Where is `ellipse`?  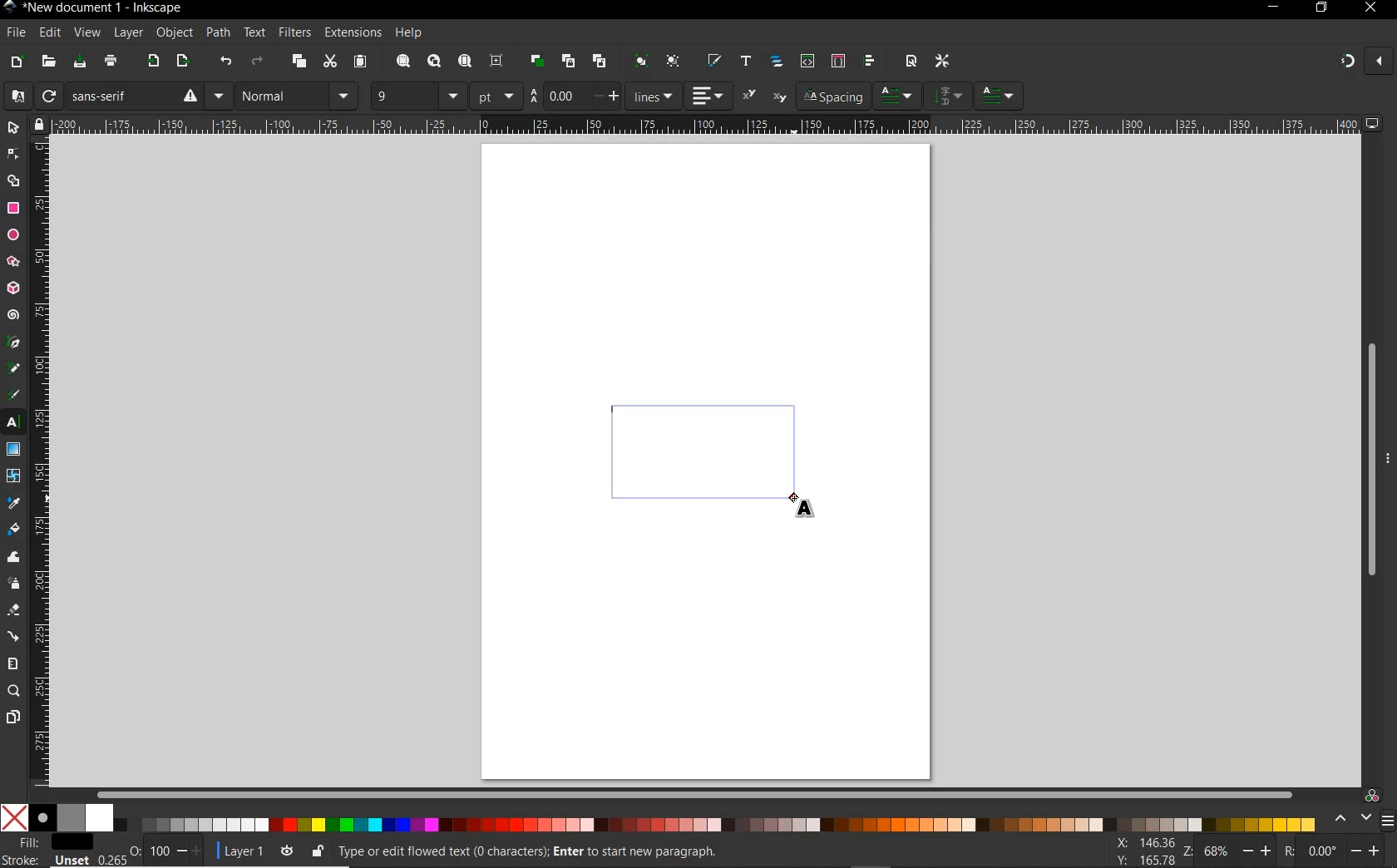 ellipse is located at coordinates (13, 235).